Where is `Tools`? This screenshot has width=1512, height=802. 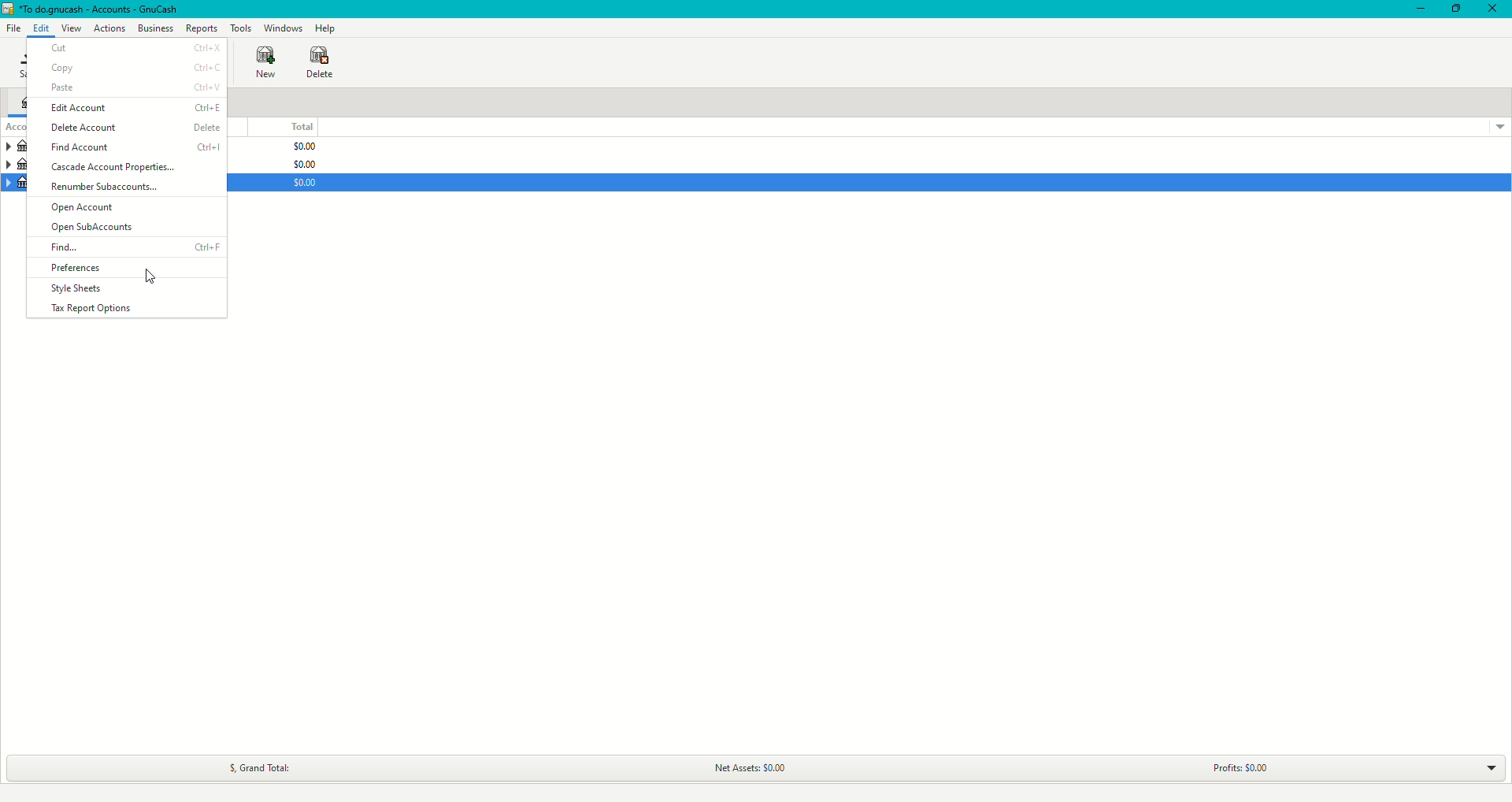 Tools is located at coordinates (241, 27).